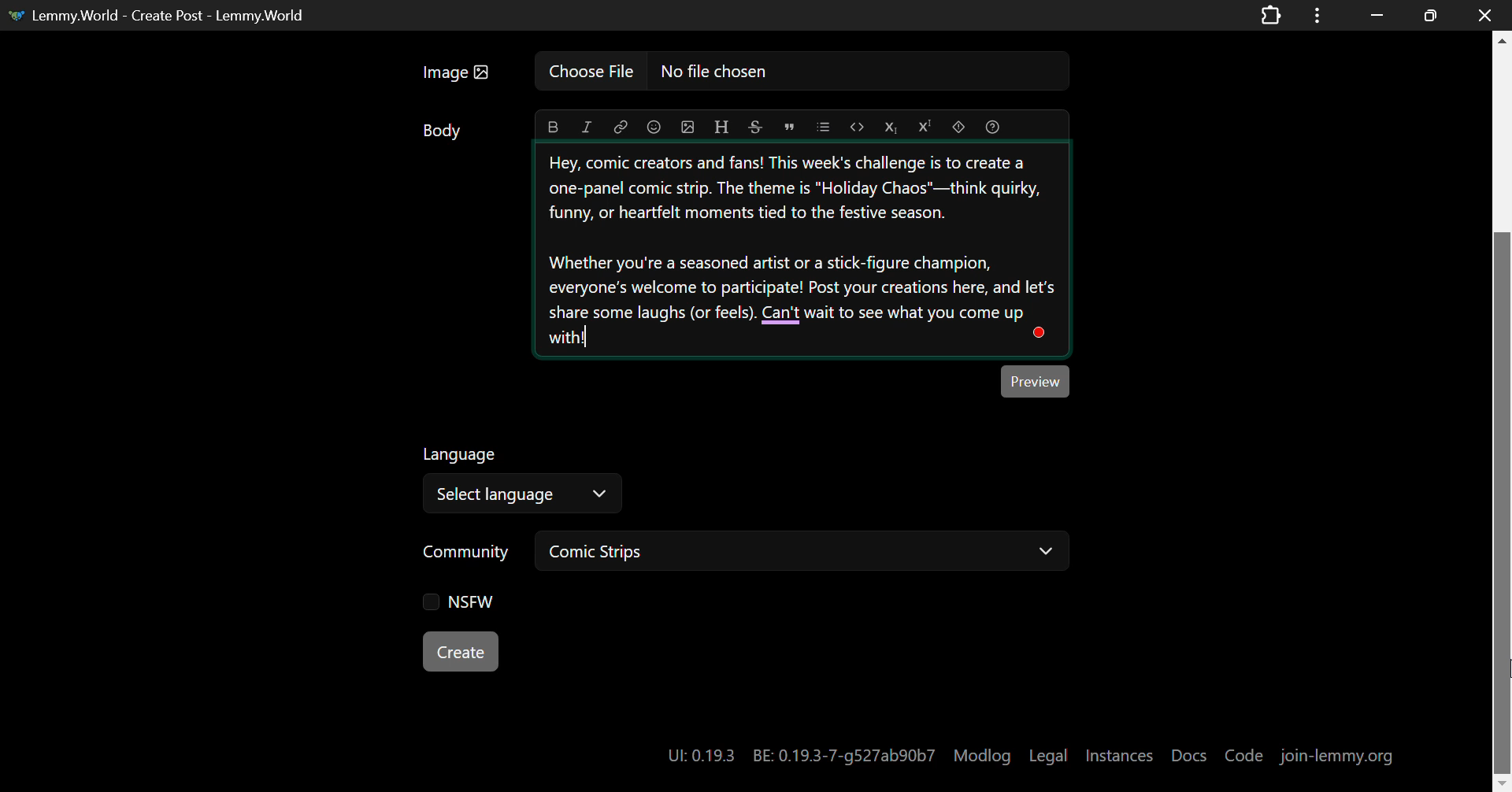 This screenshot has height=792, width=1512. Describe the element at coordinates (1503, 675) in the screenshot. I see `MOUSE_UP Cursor Position` at that location.